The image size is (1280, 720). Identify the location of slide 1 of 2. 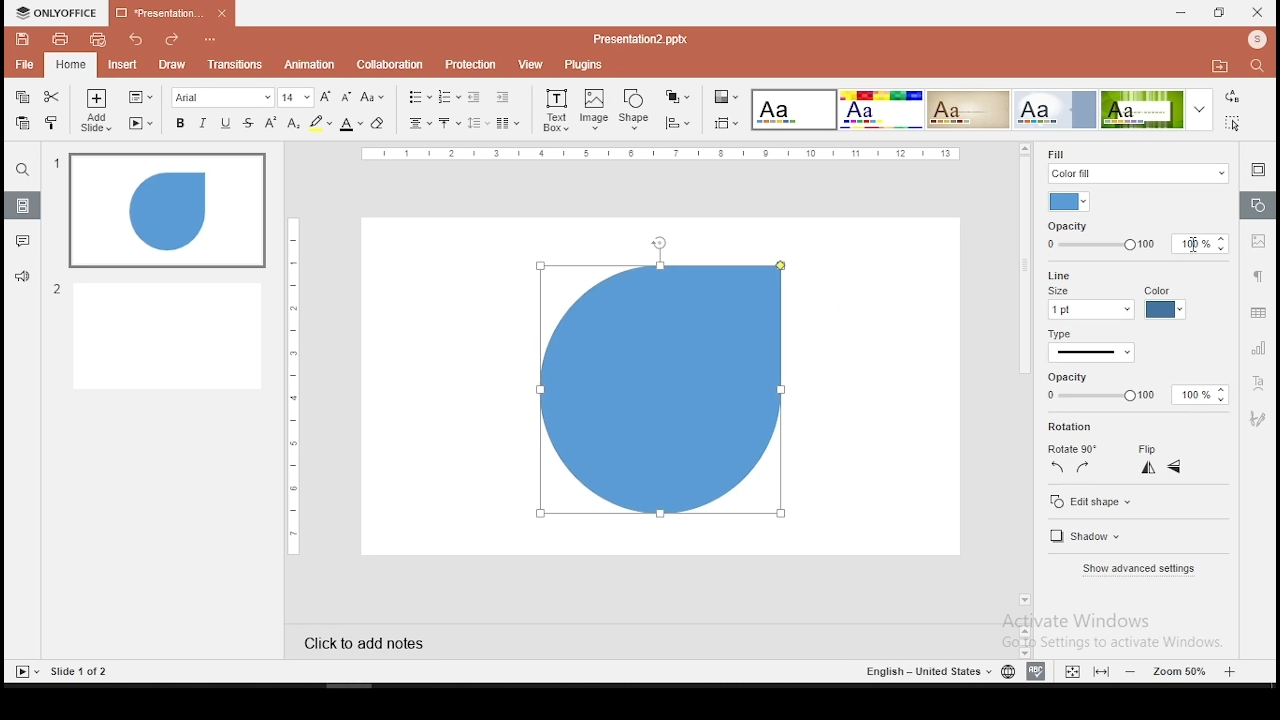
(82, 672).